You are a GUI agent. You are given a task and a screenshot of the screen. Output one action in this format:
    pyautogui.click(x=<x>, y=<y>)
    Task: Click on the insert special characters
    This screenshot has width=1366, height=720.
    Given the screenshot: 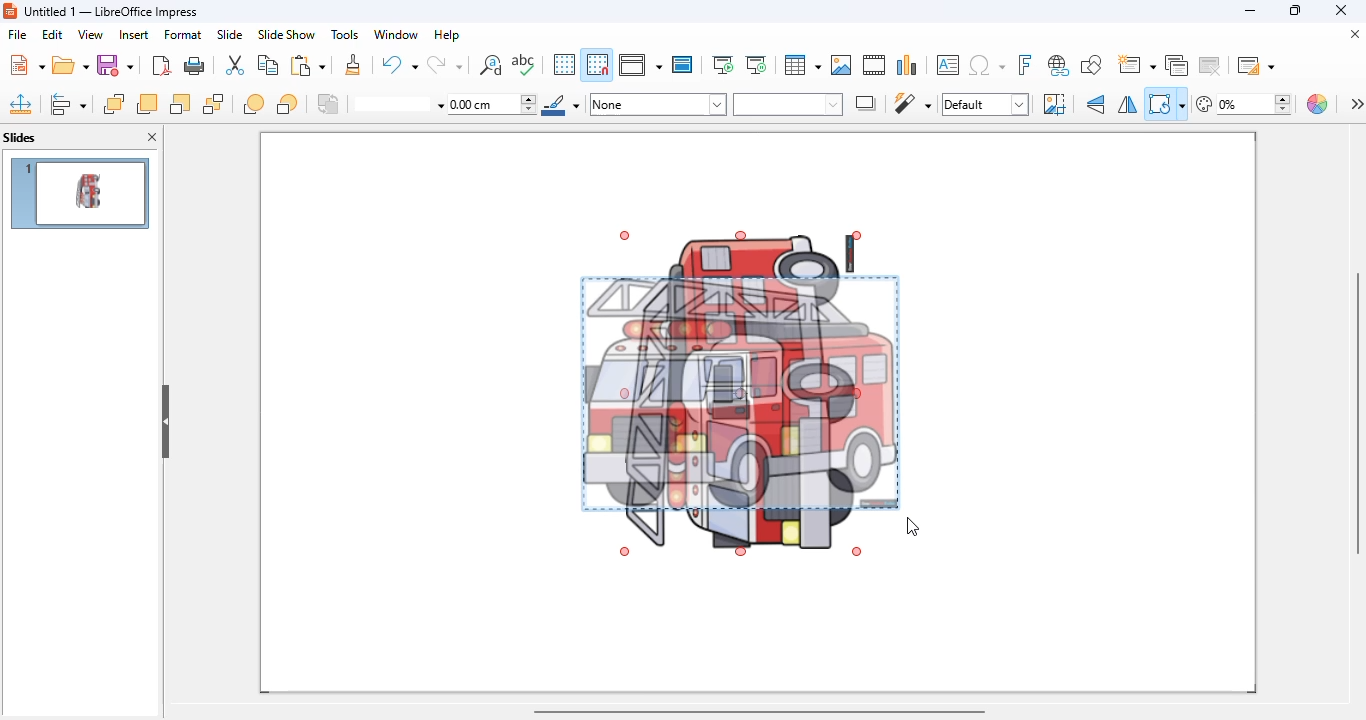 What is the action you would take?
    pyautogui.click(x=987, y=65)
    